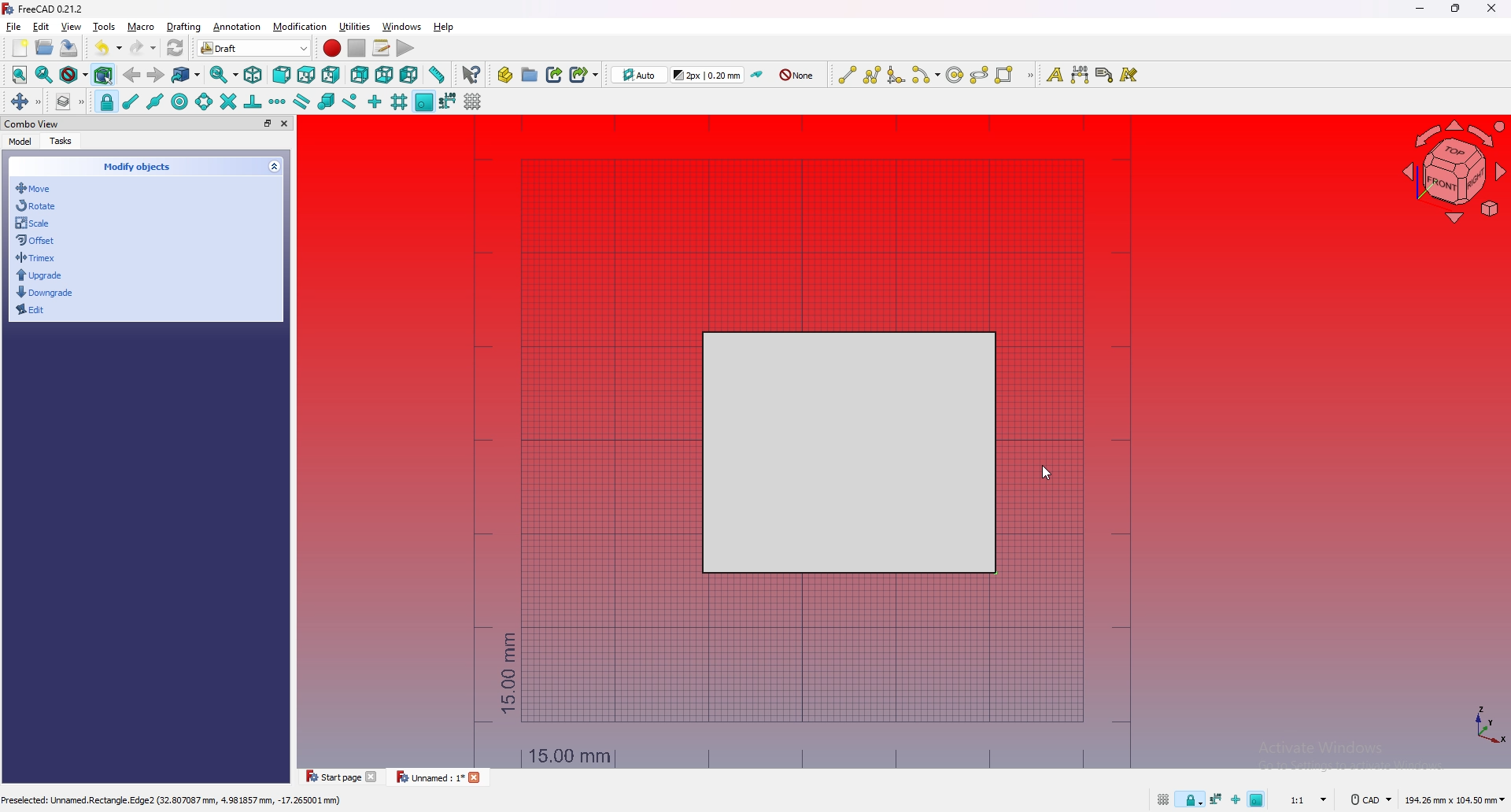  What do you see at coordinates (39, 189) in the screenshot?
I see `move` at bounding box center [39, 189].